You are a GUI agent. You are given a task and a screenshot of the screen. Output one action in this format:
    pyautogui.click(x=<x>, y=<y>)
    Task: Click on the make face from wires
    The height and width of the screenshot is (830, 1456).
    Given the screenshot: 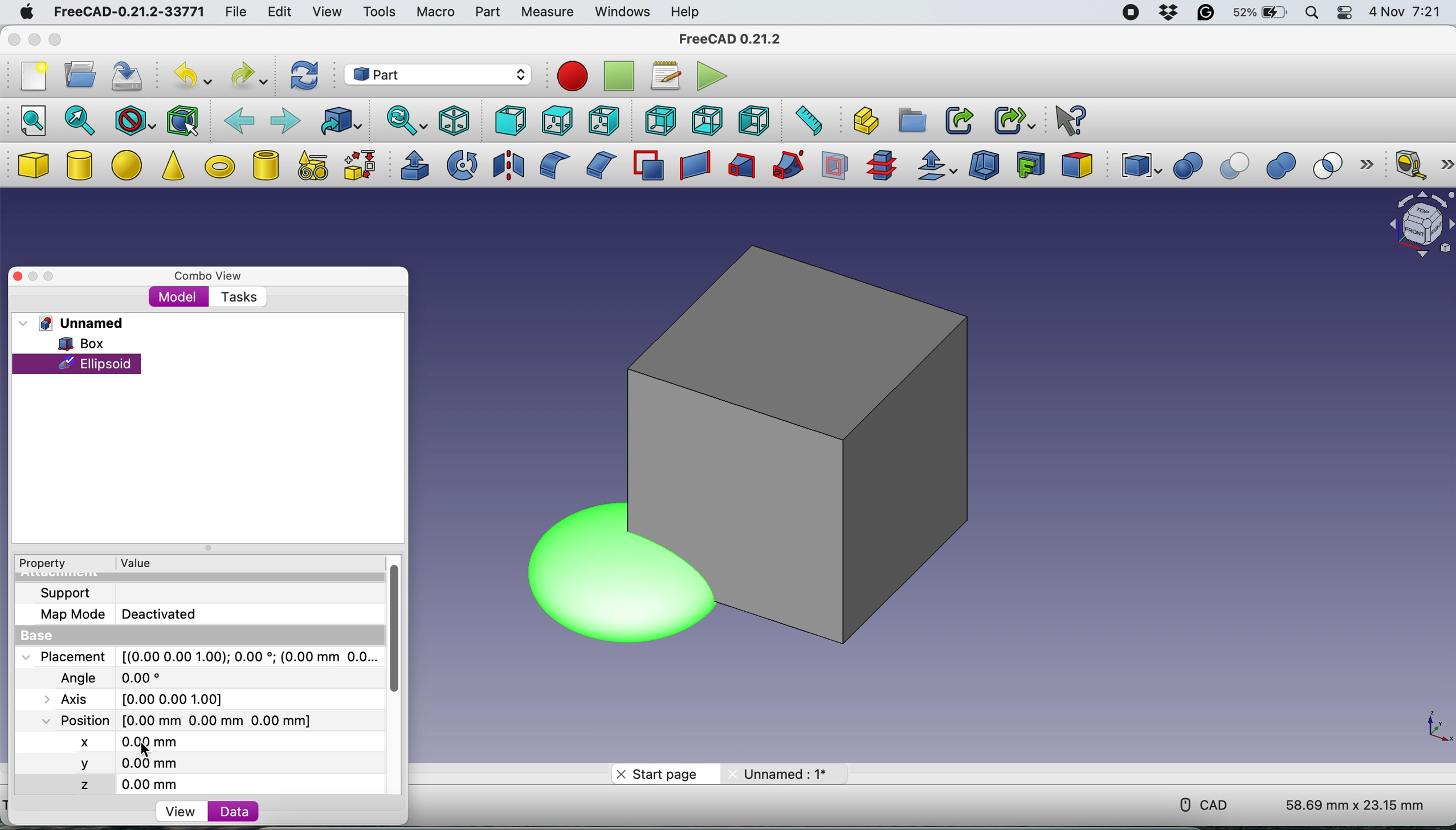 What is the action you would take?
    pyautogui.click(x=648, y=165)
    